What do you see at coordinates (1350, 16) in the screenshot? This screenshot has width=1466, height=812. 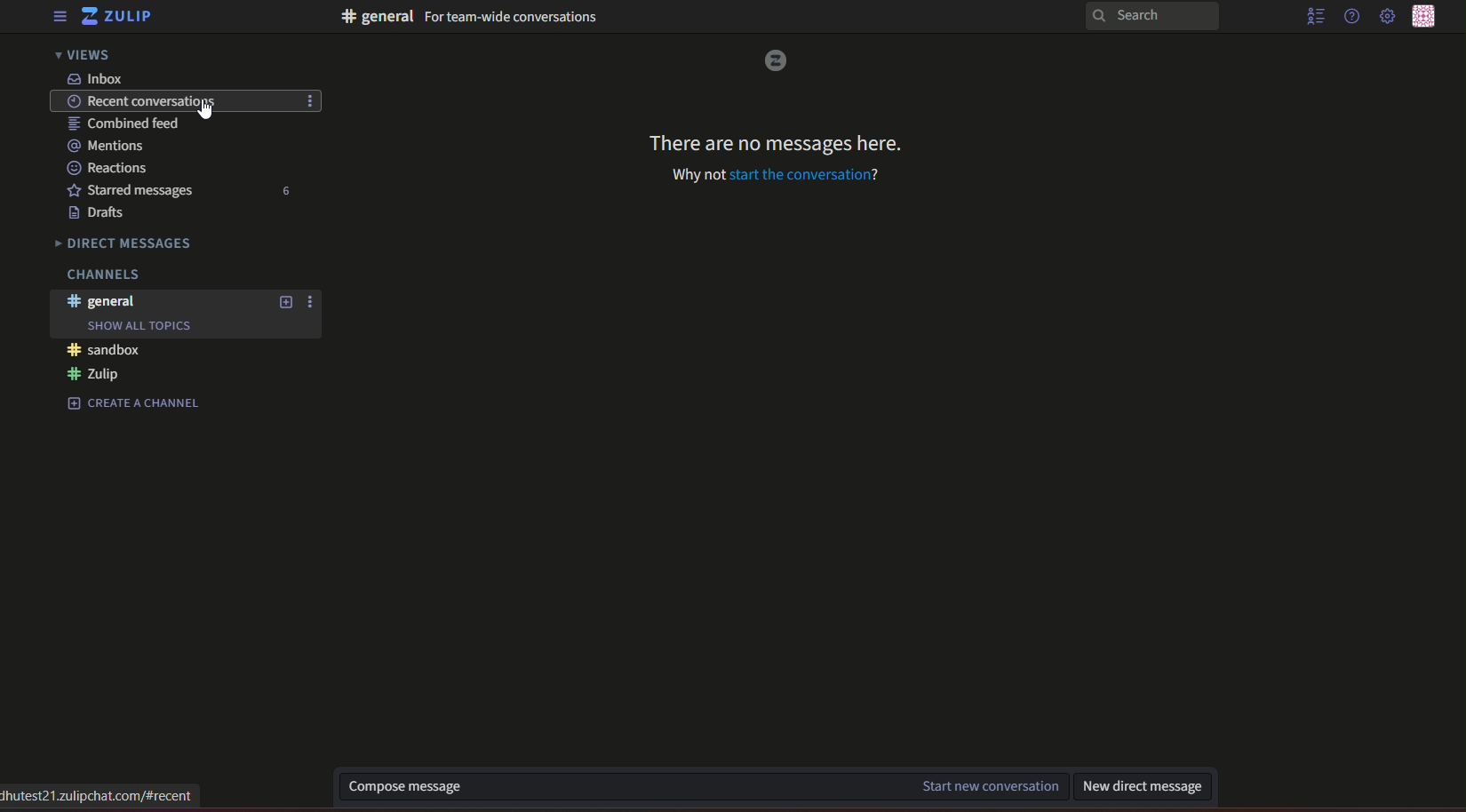 I see `help menu` at bounding box center [1350, 16].